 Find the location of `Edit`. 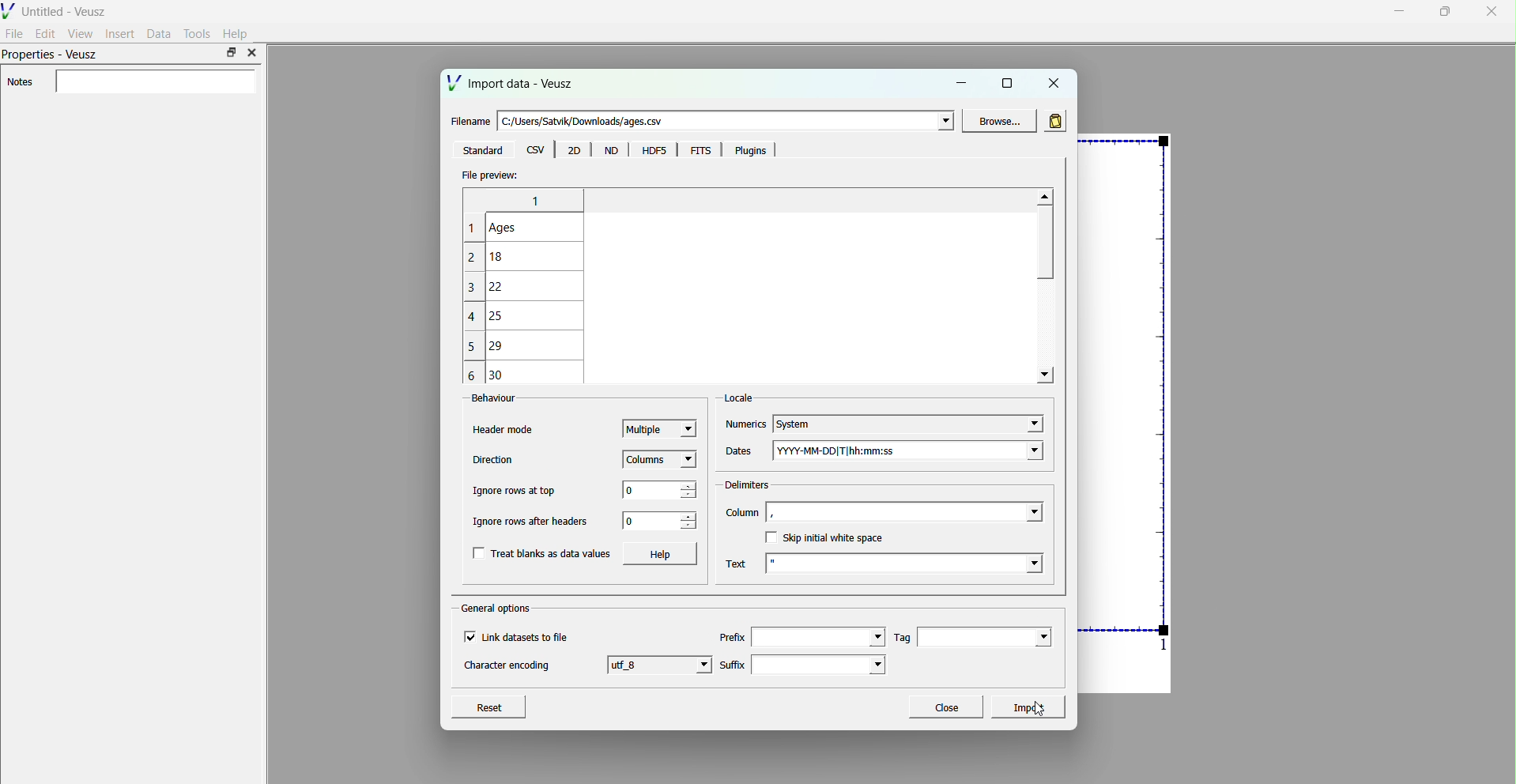

Edit is located at coordinates (46, 33).